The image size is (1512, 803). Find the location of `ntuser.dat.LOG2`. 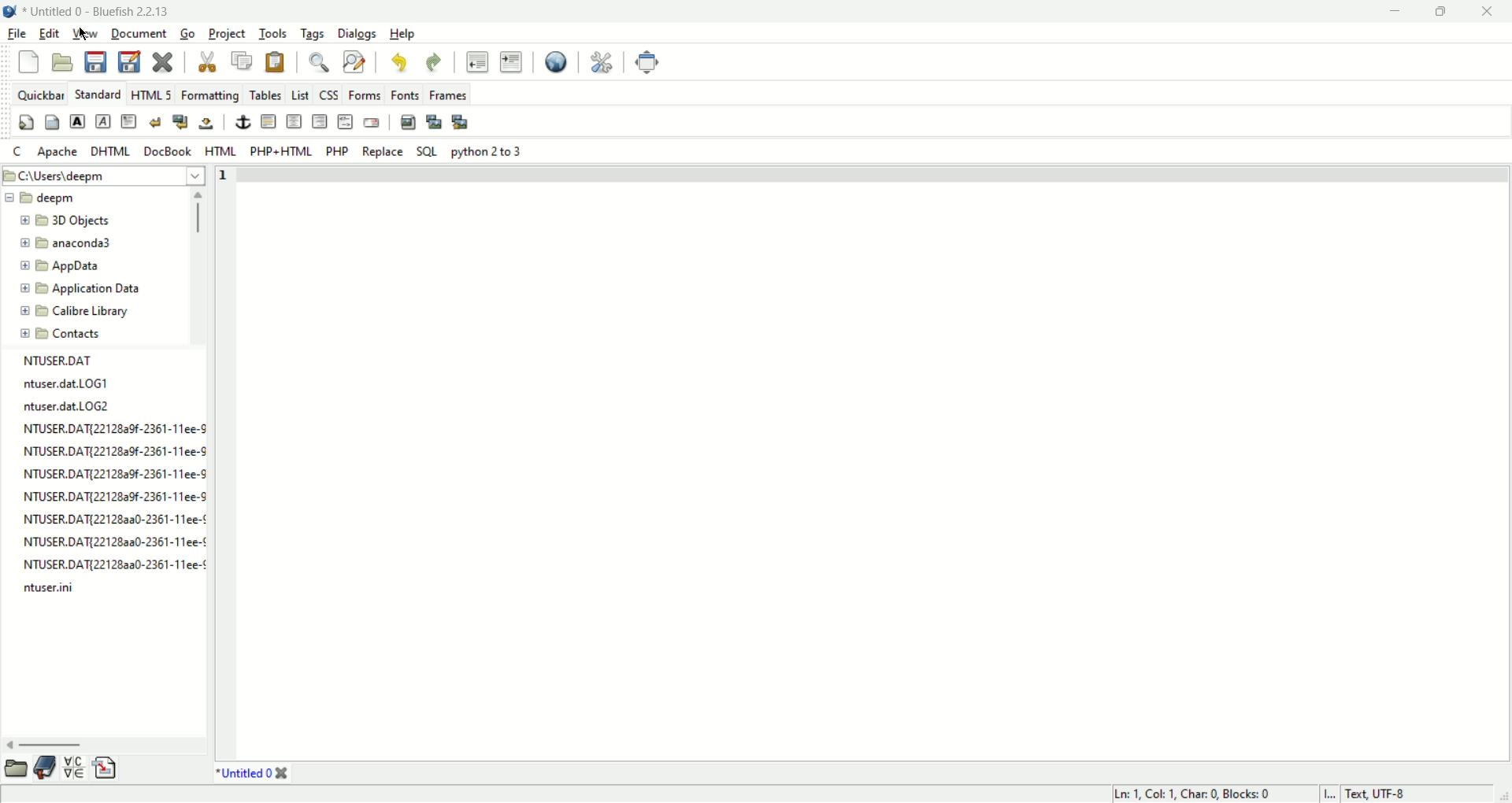

ntuser.dat.LOG2 is located at coordinates (71, 406).